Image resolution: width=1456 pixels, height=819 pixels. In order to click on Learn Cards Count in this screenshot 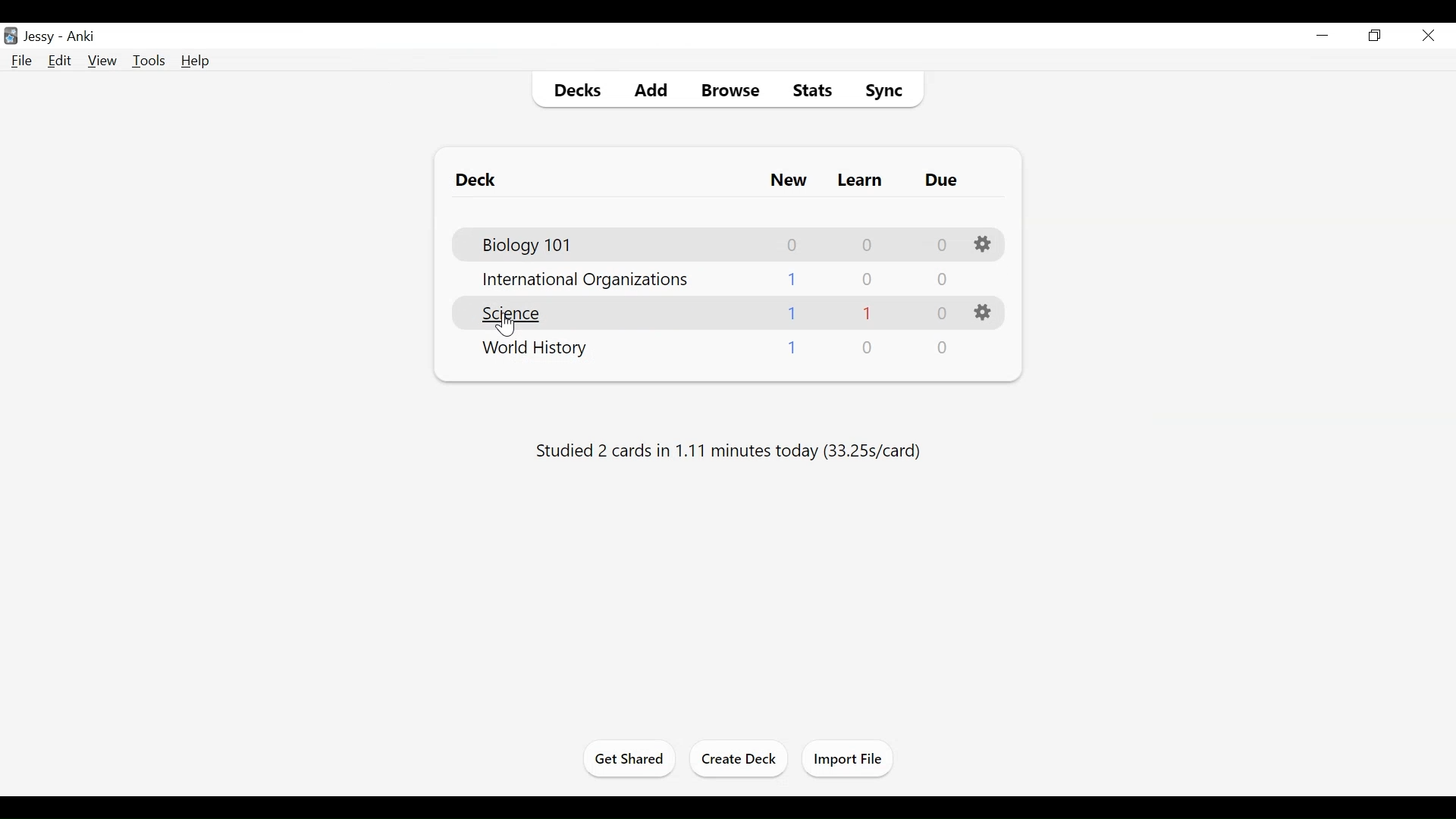, I will do `click(868, 313)`.